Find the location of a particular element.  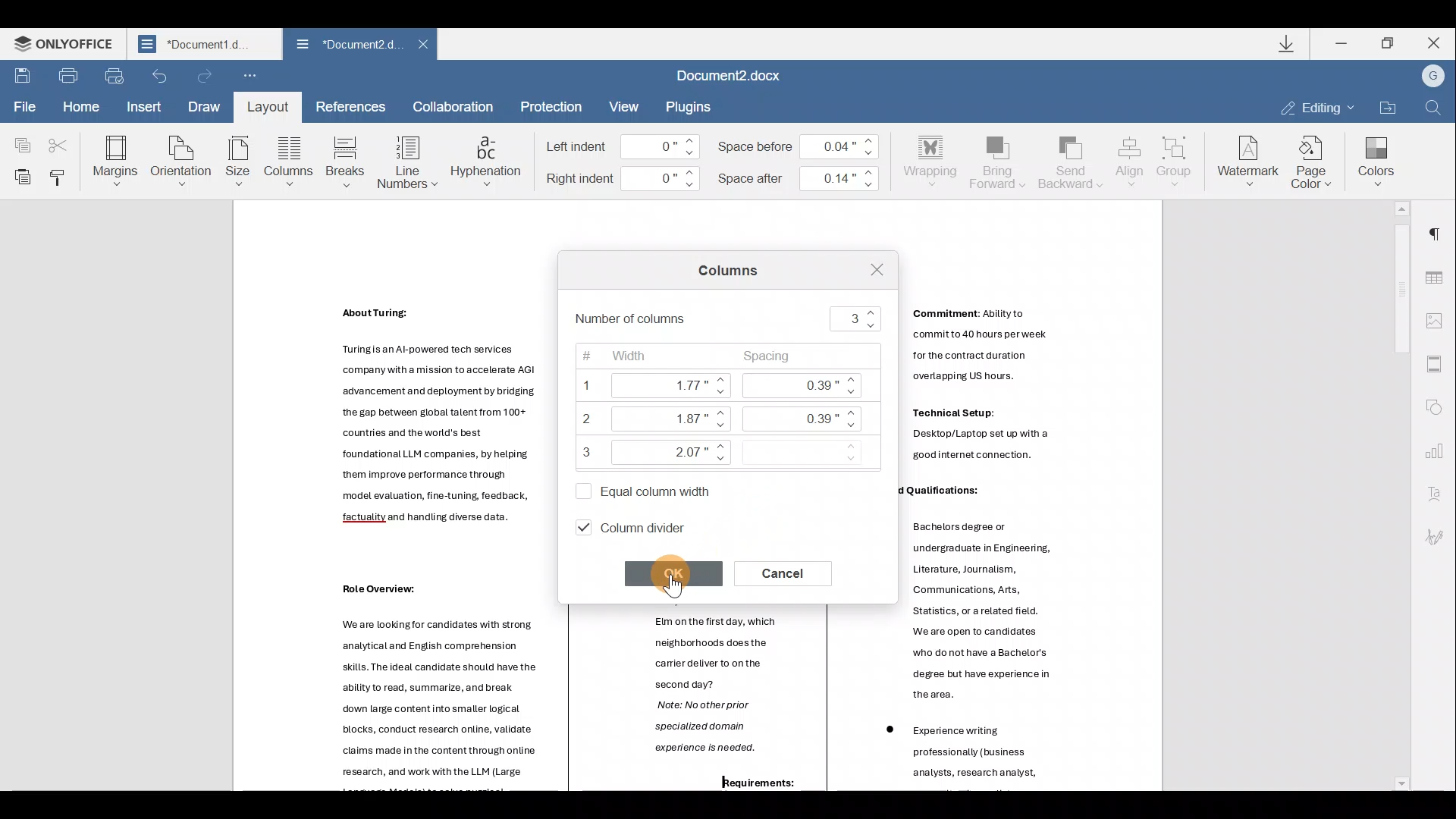

Number of columns is located at coordinates (731, 318).